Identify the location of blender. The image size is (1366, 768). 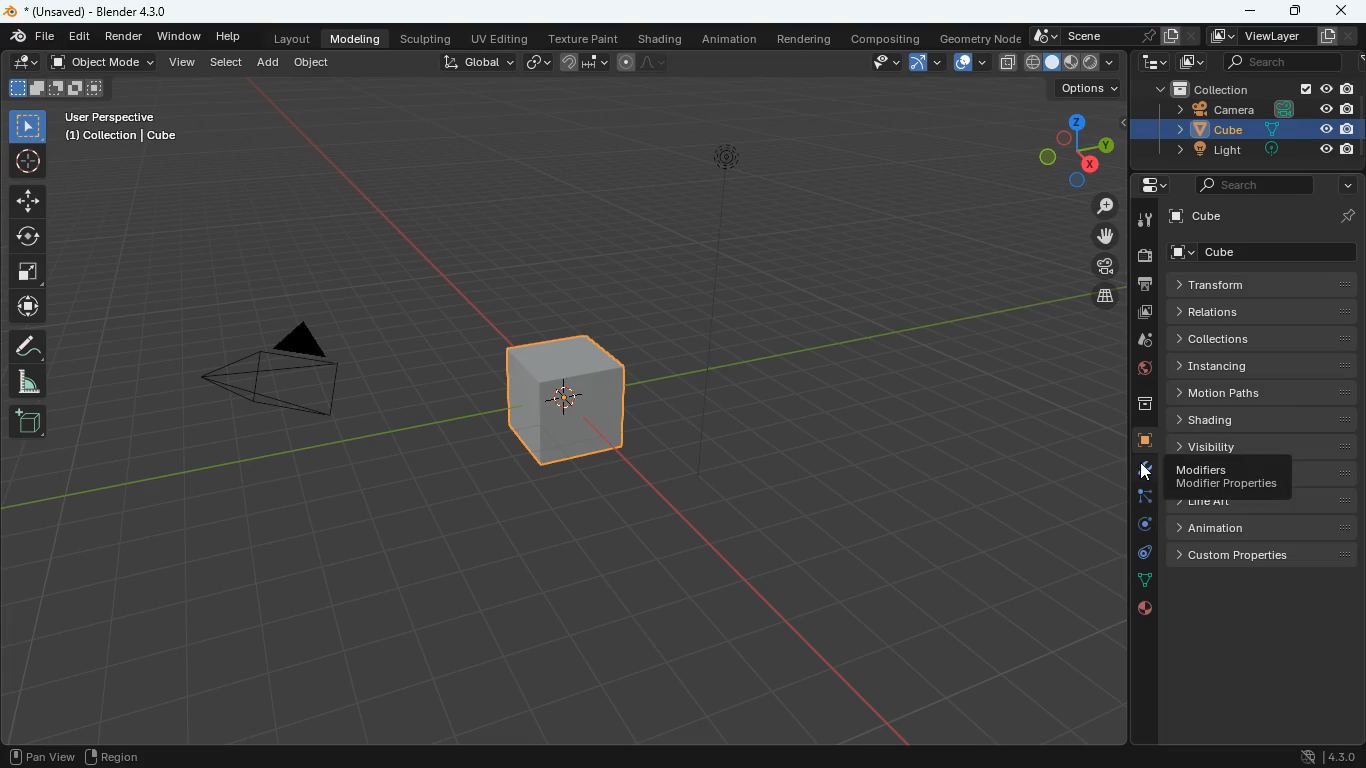
(9, 12).